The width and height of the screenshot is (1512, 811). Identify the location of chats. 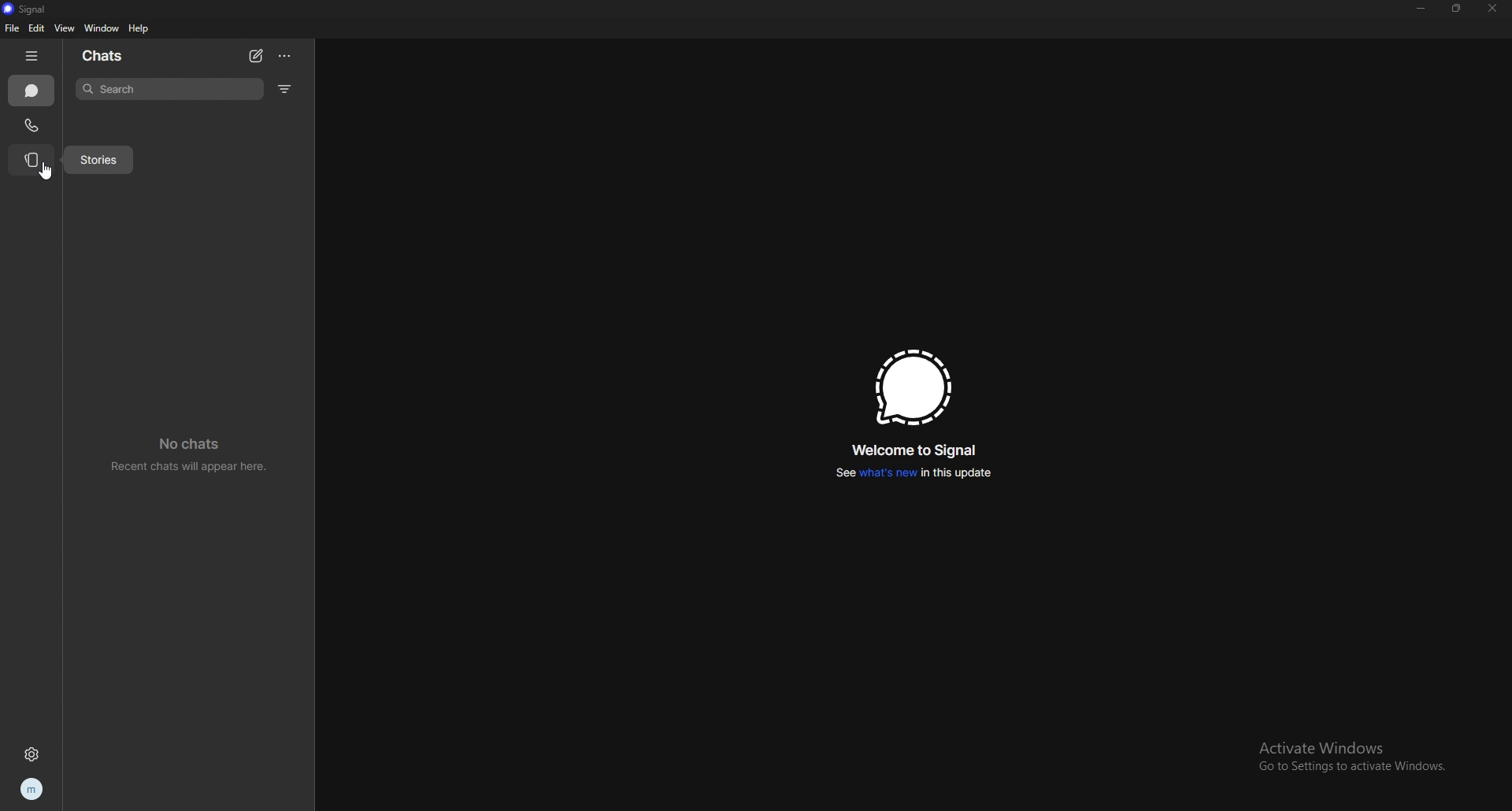
(105, 57).